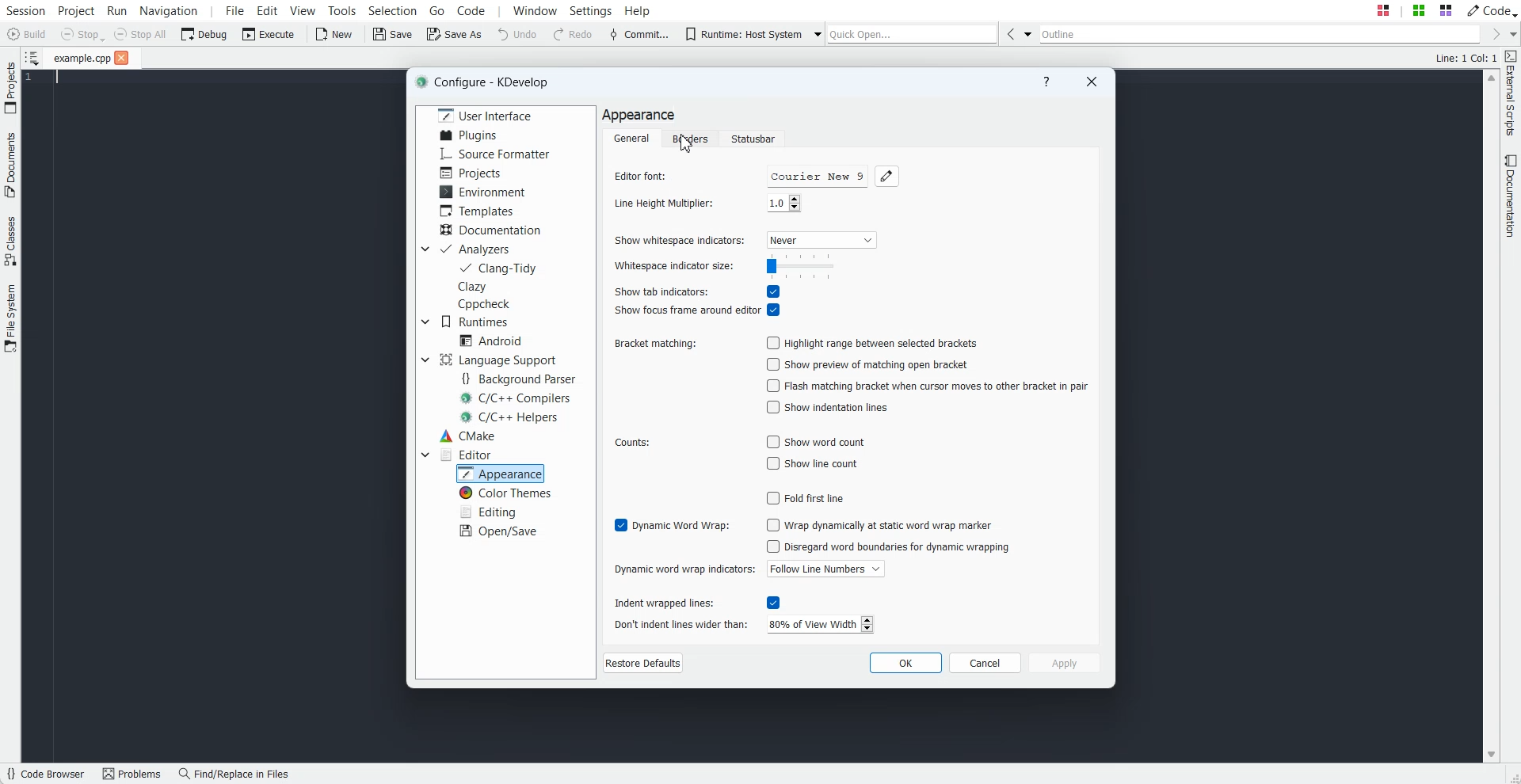 The width and height of the screenshot is (1521, 784). What do you see at coordinates (473, 287) in the screenshot?
I see `Clazy` at bounding box center [473, 287].